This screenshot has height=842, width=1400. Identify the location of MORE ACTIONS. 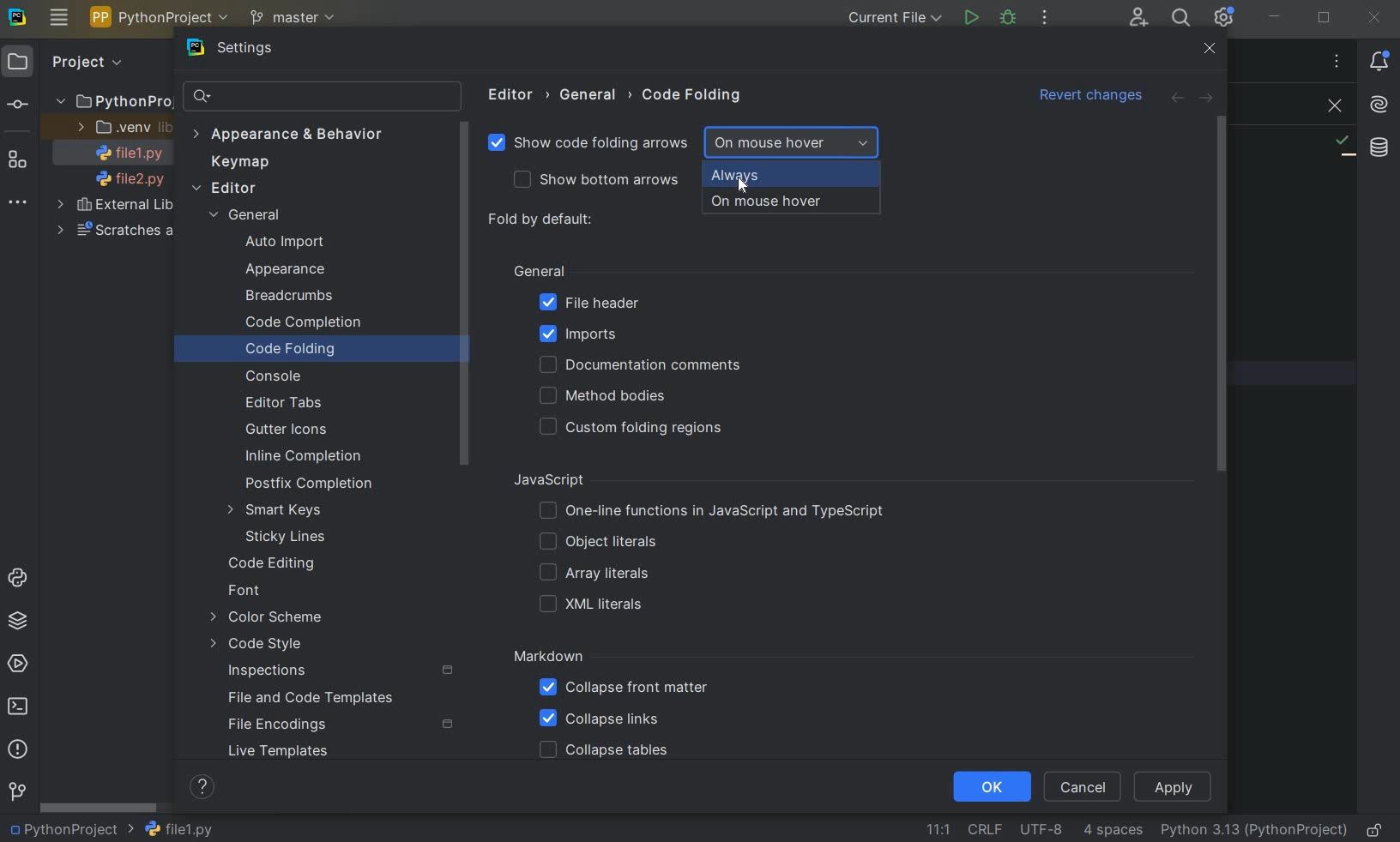
(1046, 17).